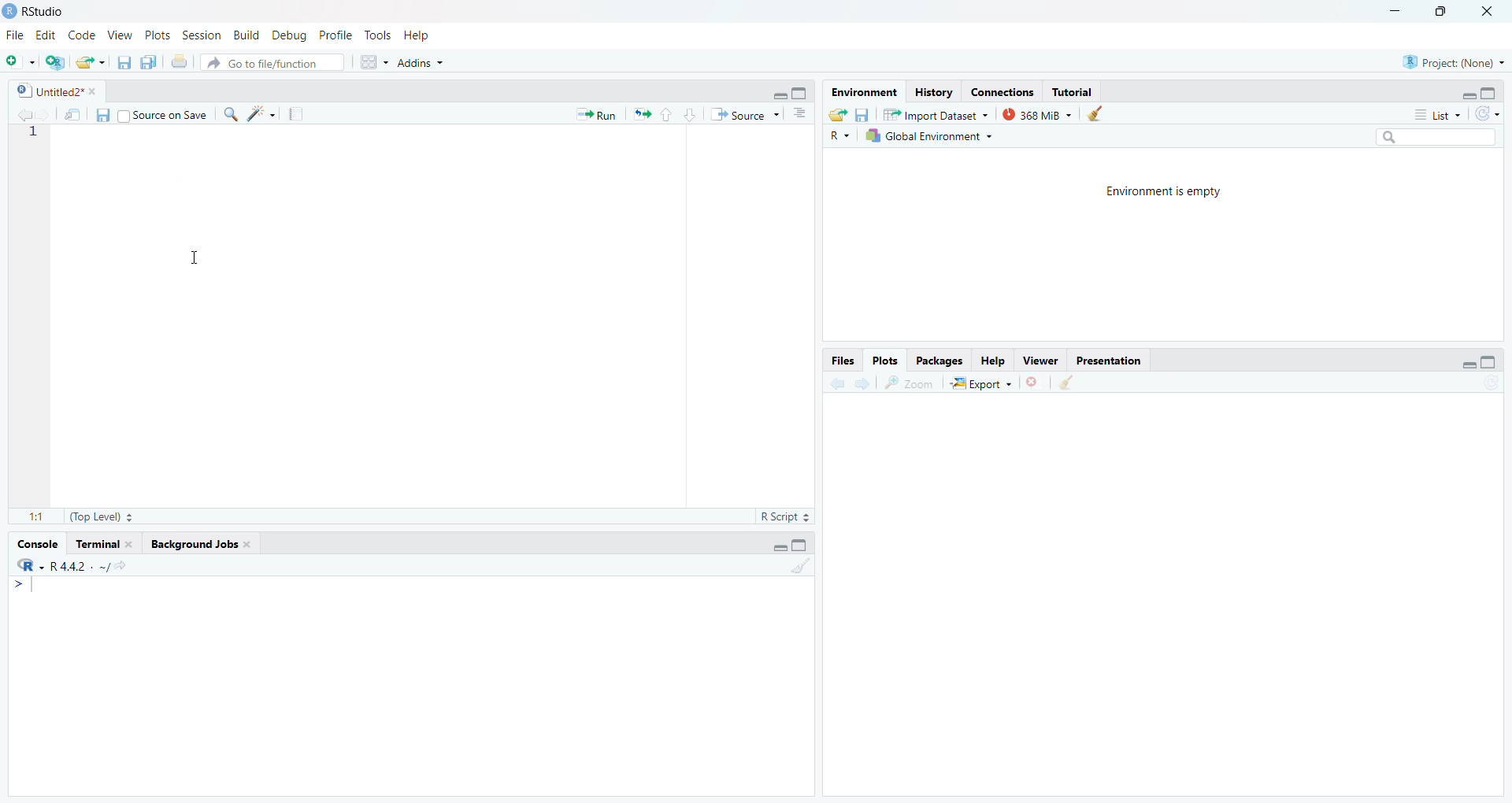 The image size is (1512, 803). Describe the element at coordinates (197, 258) in the screenshot. I see `cursor` at that location.